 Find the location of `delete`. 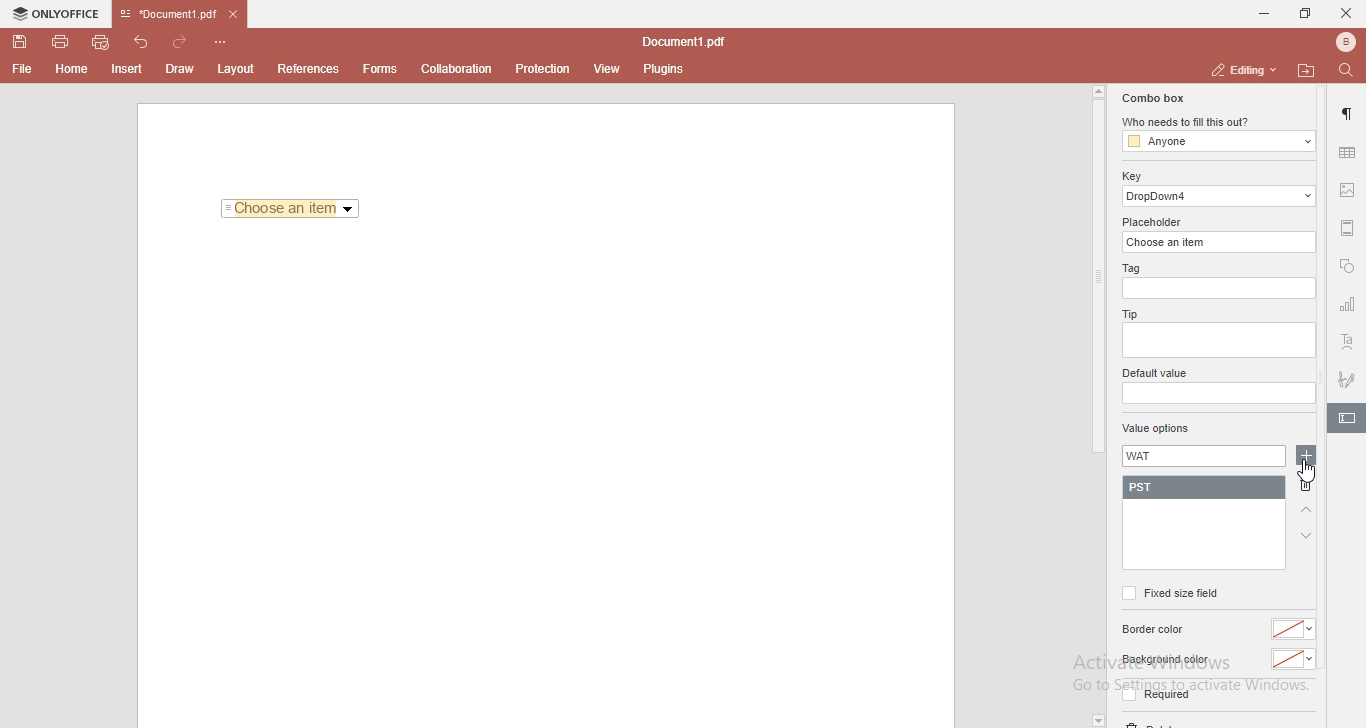

delete is located at coordinates (1310, 488).